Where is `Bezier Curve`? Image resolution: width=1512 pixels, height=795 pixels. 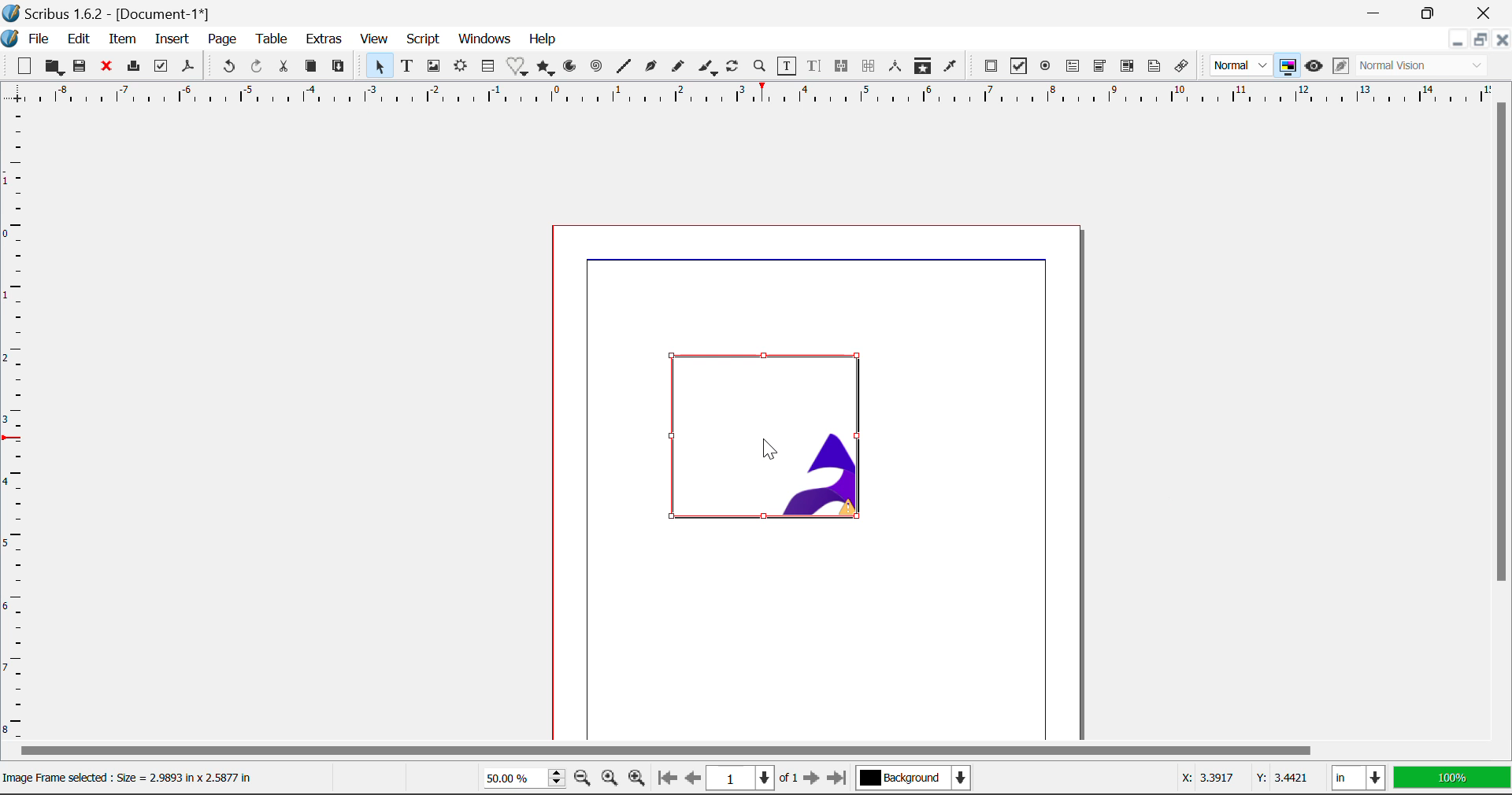 Bezier Curve is located at coordinates (649, 67).